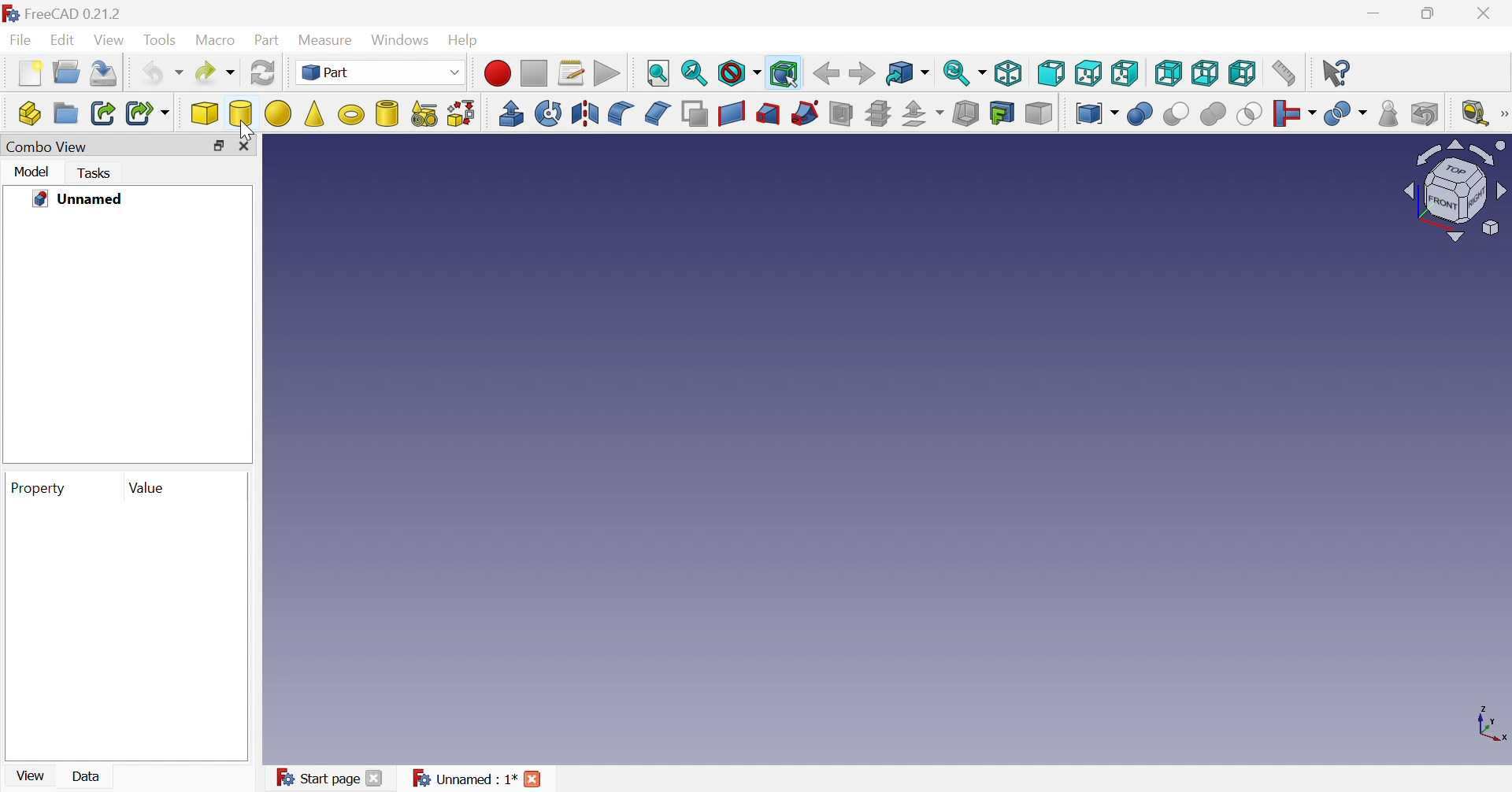 Image resolution: width=1512 pixels, height=792 pixels. Describe the element at coordinates (1486, 13) in the screenshot. I see `Close` at that location.